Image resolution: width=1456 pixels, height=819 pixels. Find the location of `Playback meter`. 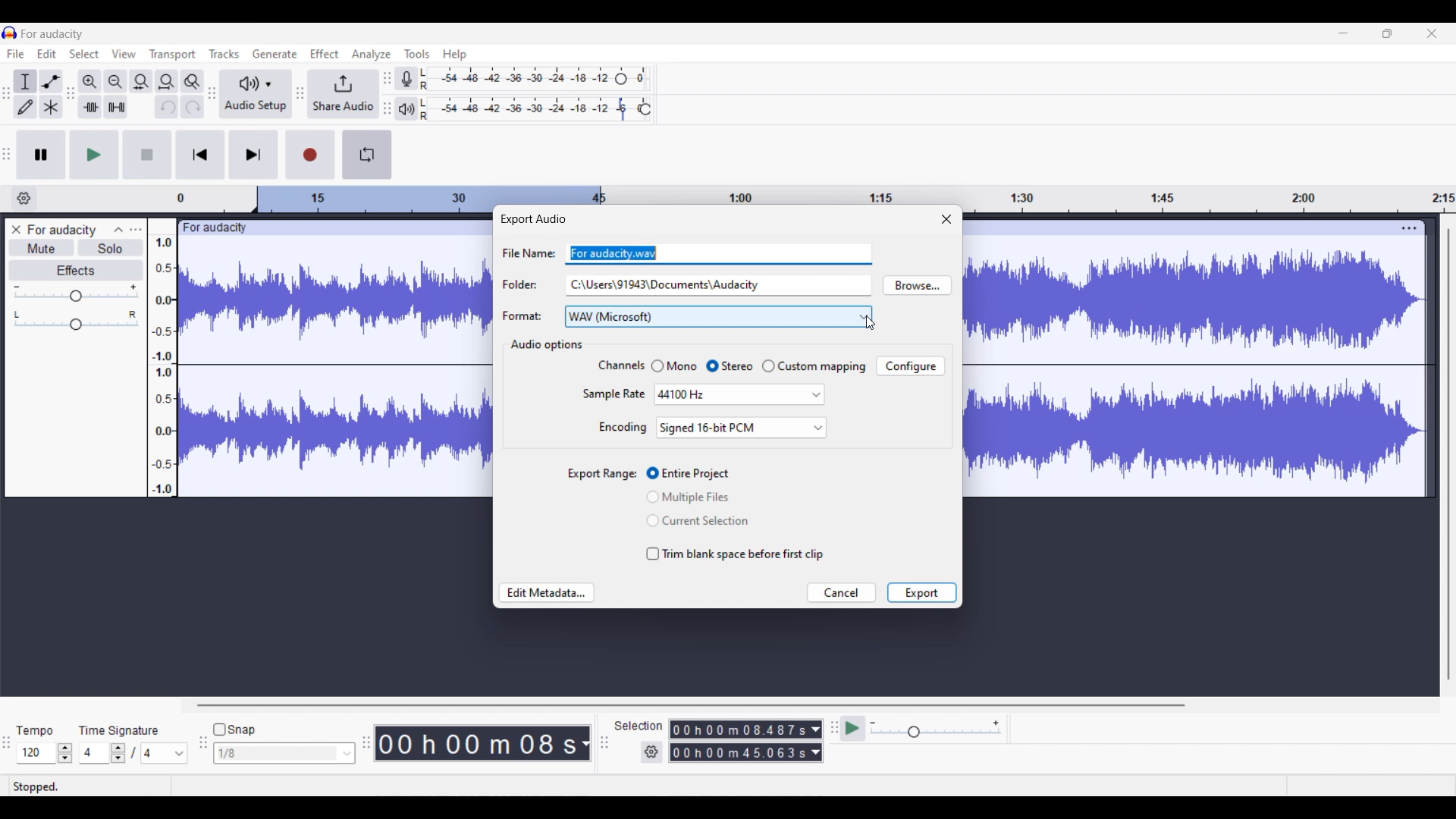

Playback meter is located at coordinates (406, 109).